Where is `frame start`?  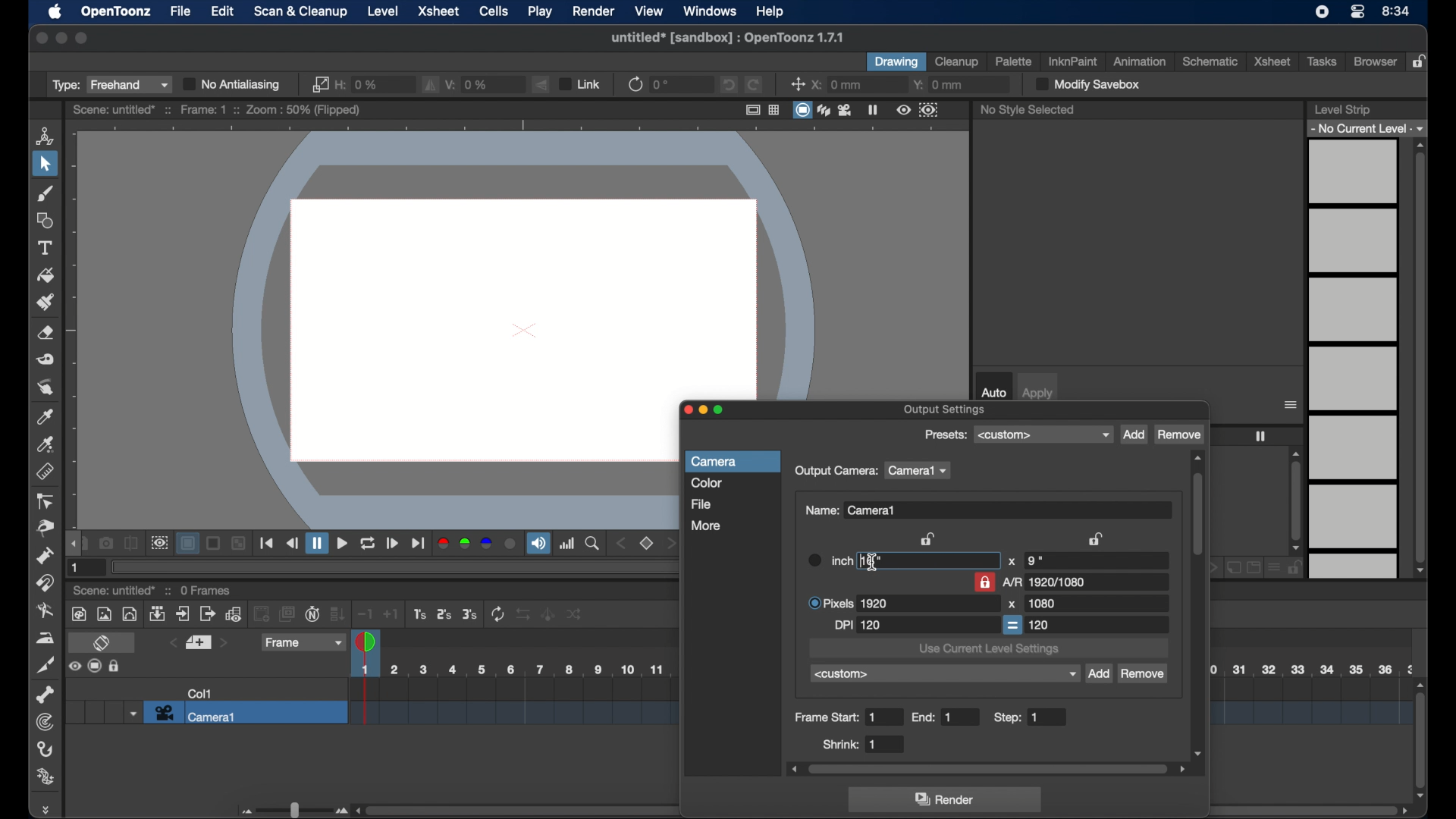
frame start is located at coordinates (837, 717).